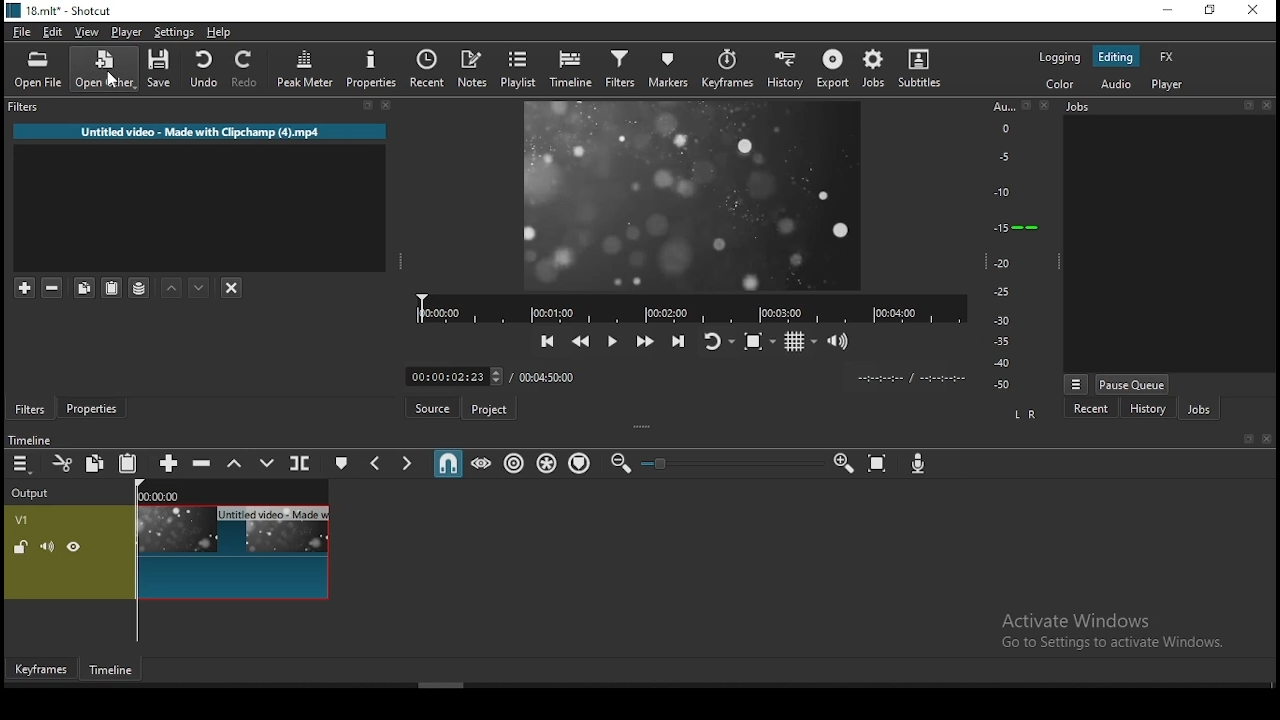 The image size is (1280, 720). I want to click on paste filter, so click(113, 287).